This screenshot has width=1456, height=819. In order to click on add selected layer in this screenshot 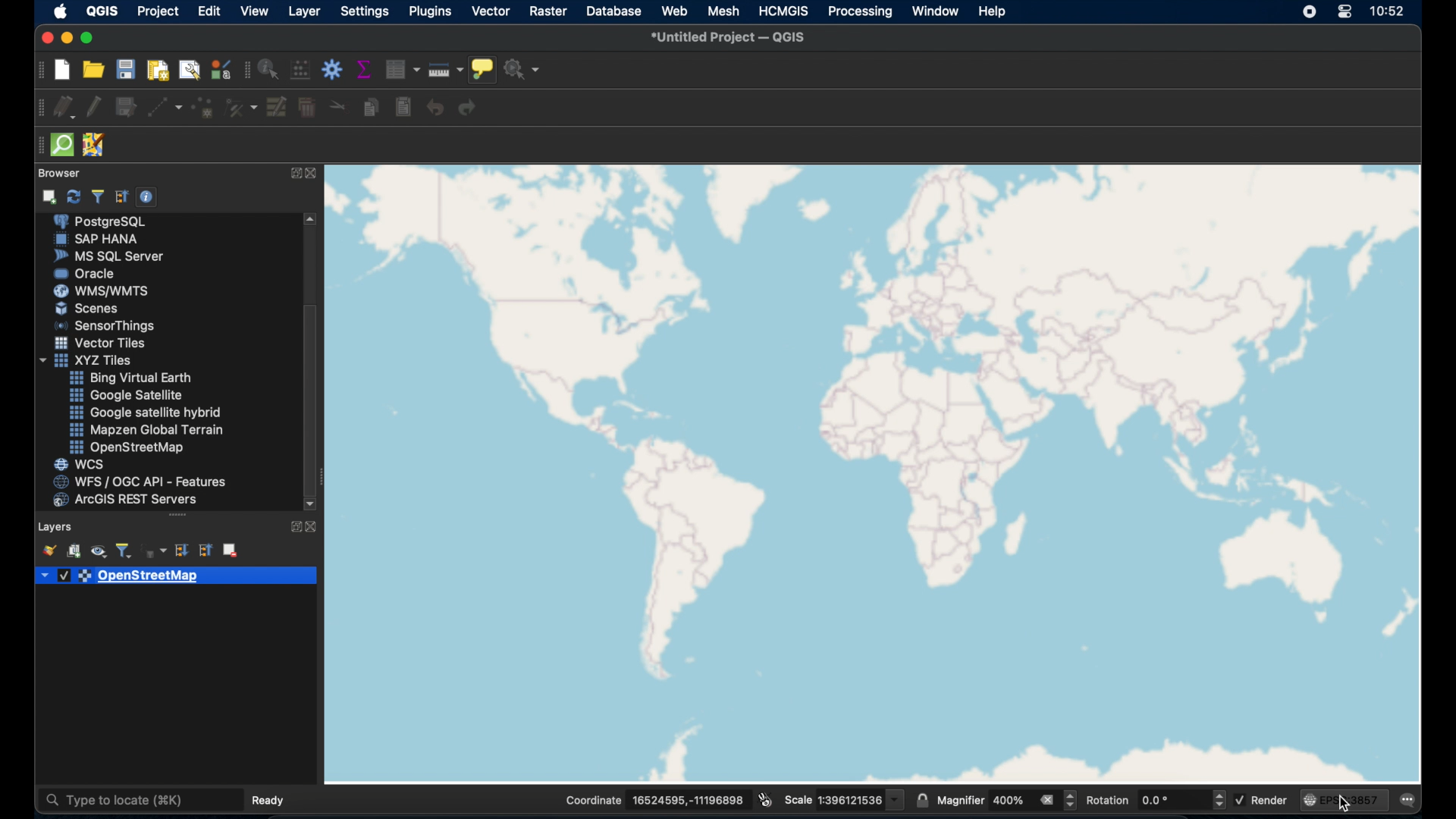, I will do `click(49, 199)`.